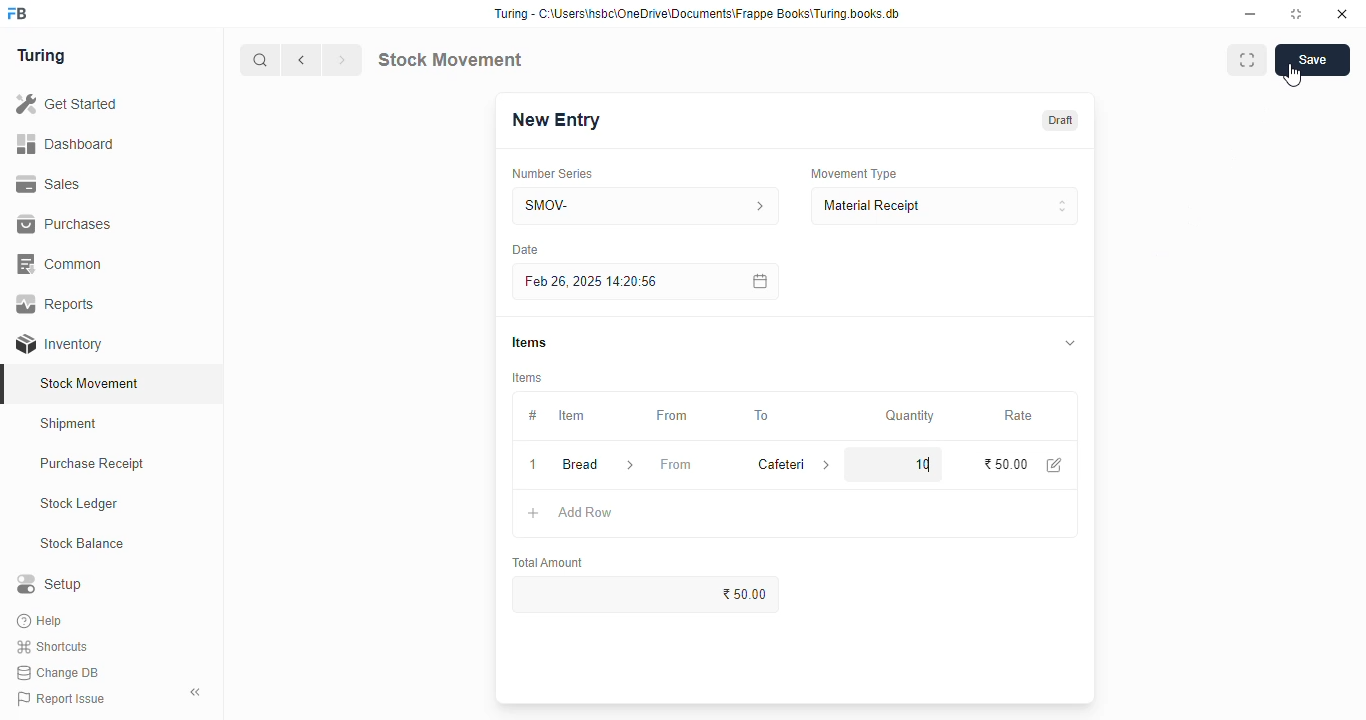 Image resolution: width=1366 pixels, height=720 pixels. I want to click on rate, so click(1019, 416).